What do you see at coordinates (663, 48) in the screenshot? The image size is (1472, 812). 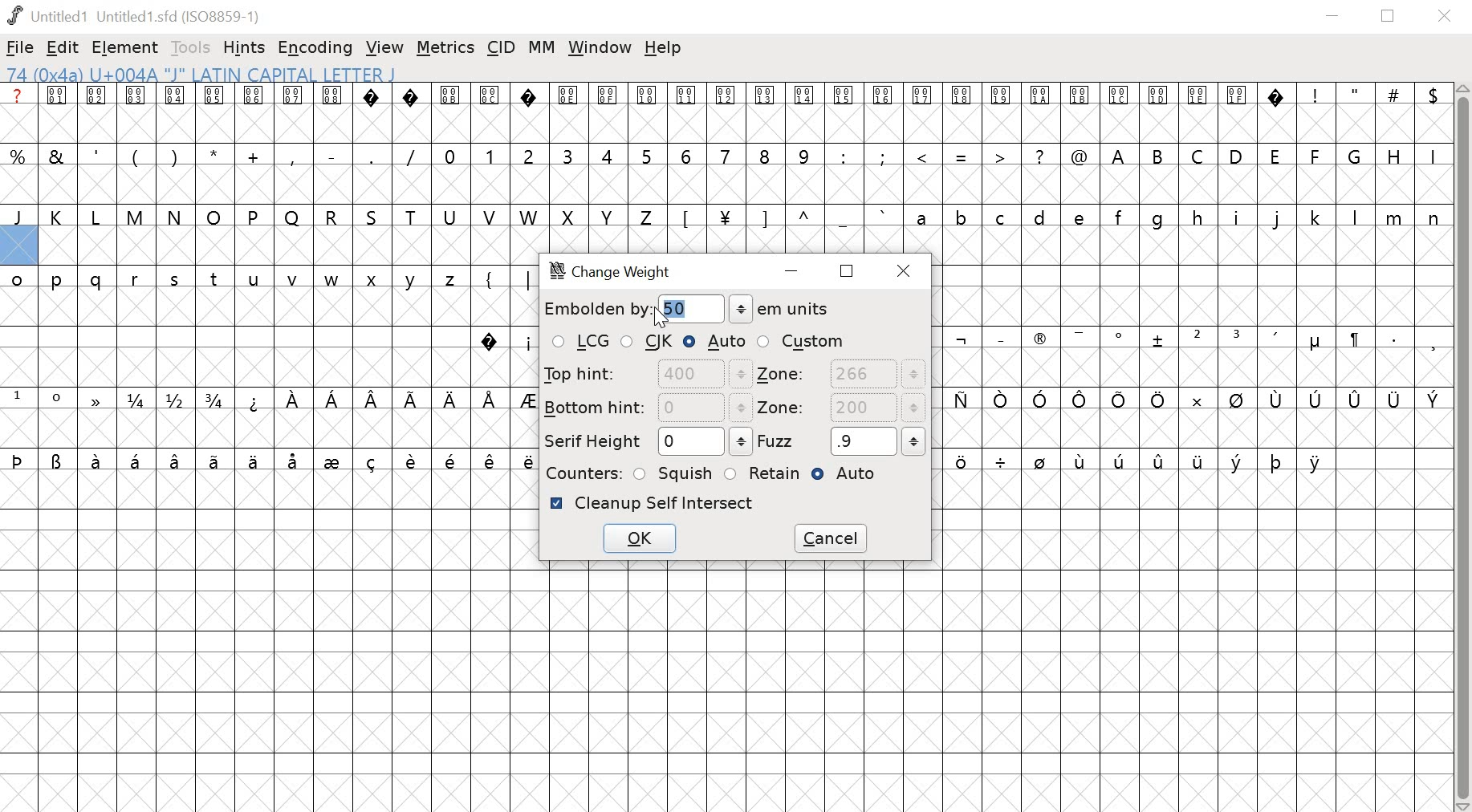 I see `help` at bounding box center [663, 48].